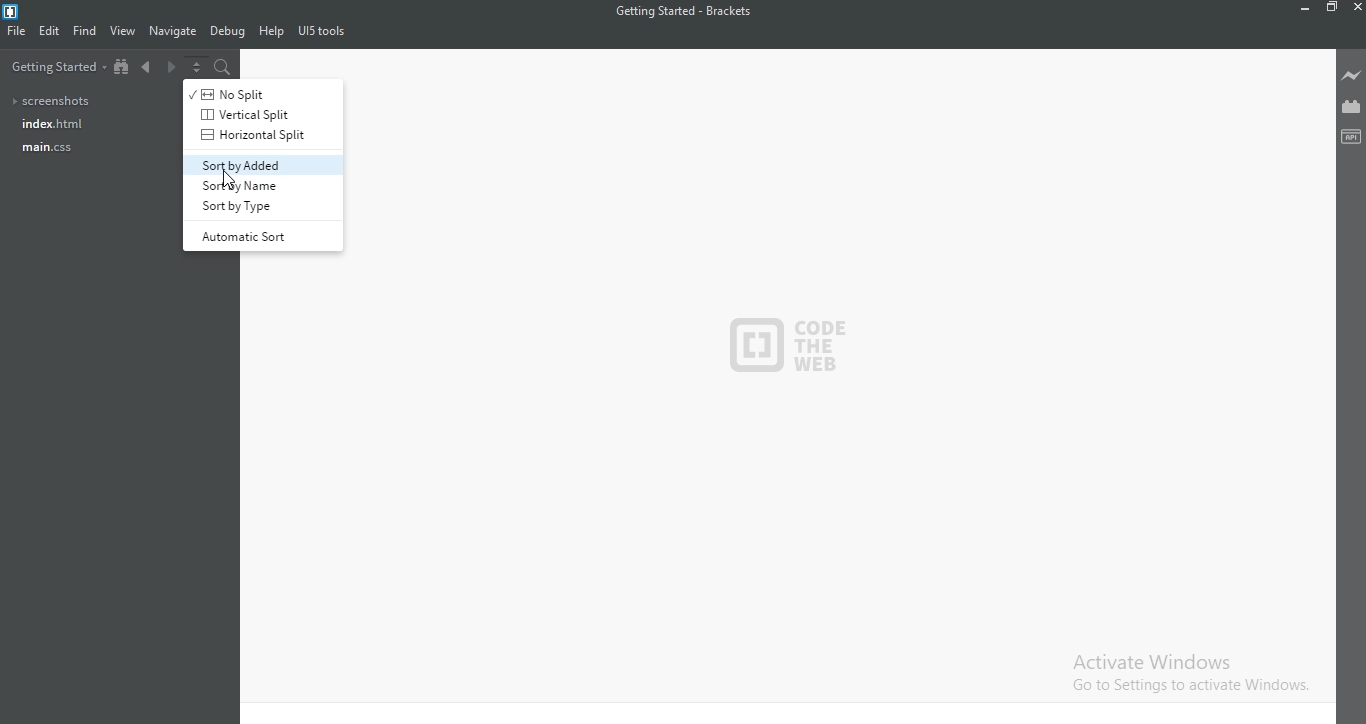  Describe the element at coordinates (18, 35) in the screenshot. I see `File` at that location.